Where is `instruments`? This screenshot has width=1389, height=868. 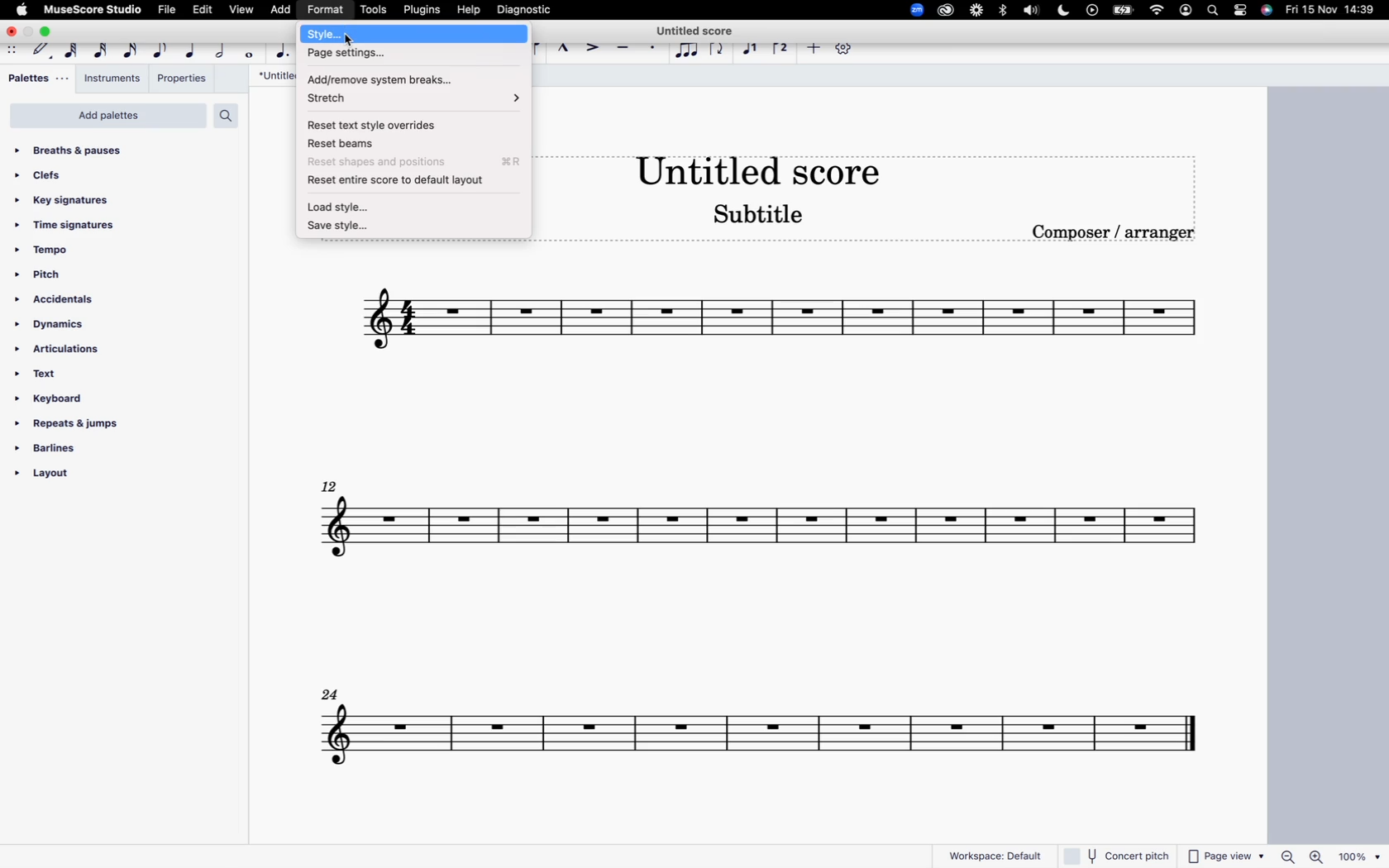 instruments is located at coordinates (112, 78).